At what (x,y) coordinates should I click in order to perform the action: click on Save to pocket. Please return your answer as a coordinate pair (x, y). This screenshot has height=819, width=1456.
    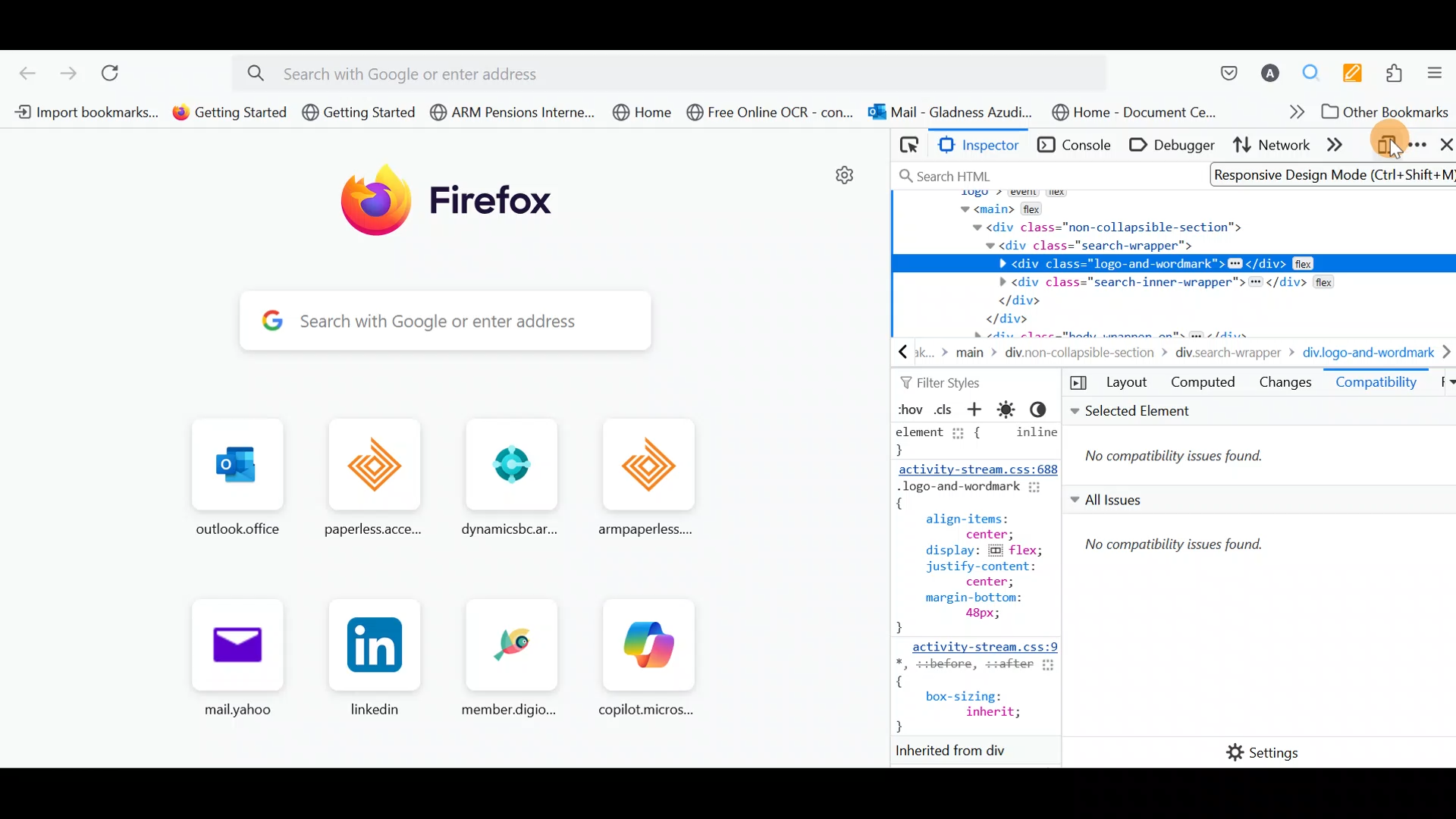
    Looking at the image, I should click on (1227, 65).